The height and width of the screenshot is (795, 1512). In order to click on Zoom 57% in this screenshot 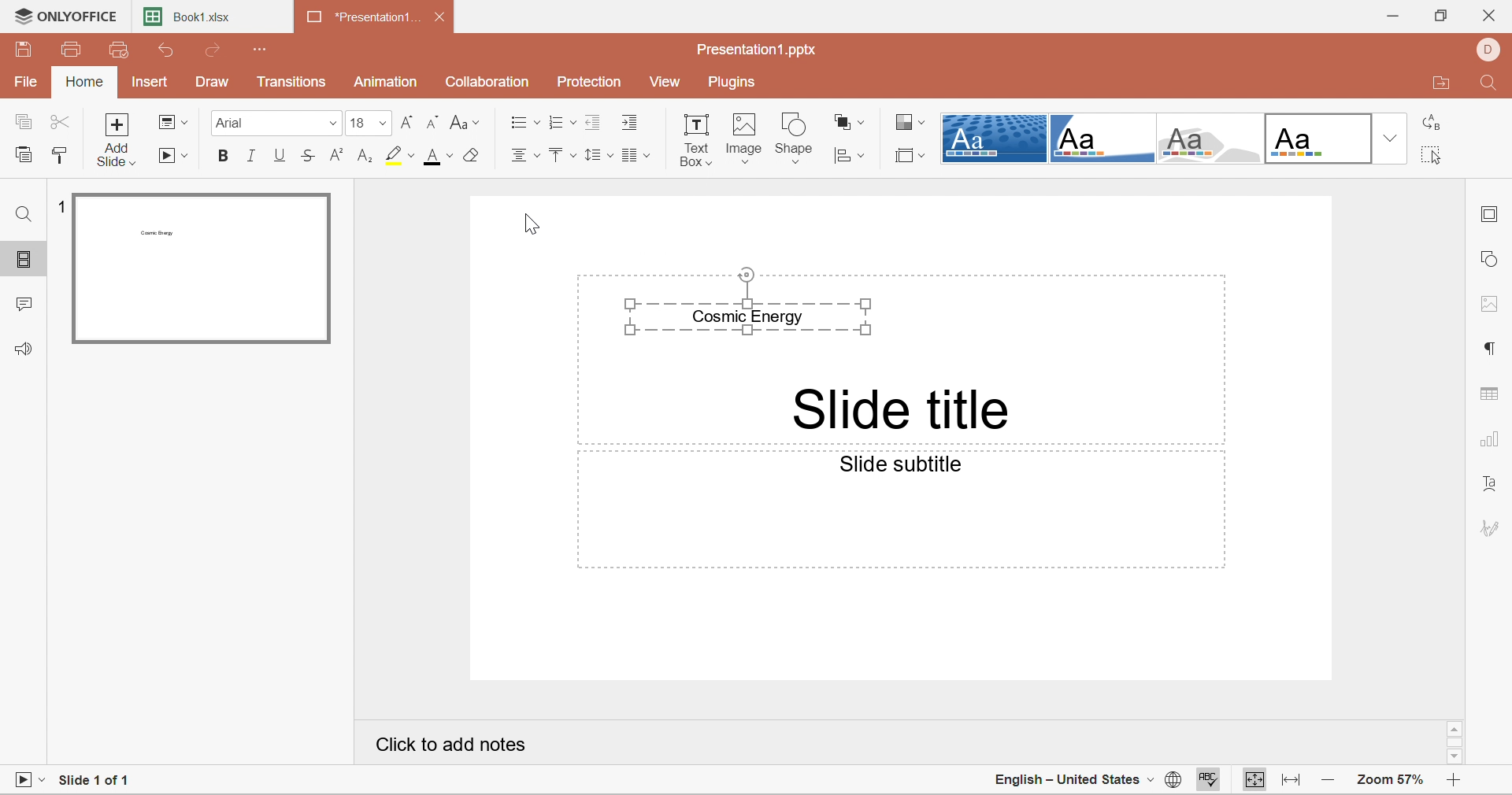, I will do `click(1392, 780)`.